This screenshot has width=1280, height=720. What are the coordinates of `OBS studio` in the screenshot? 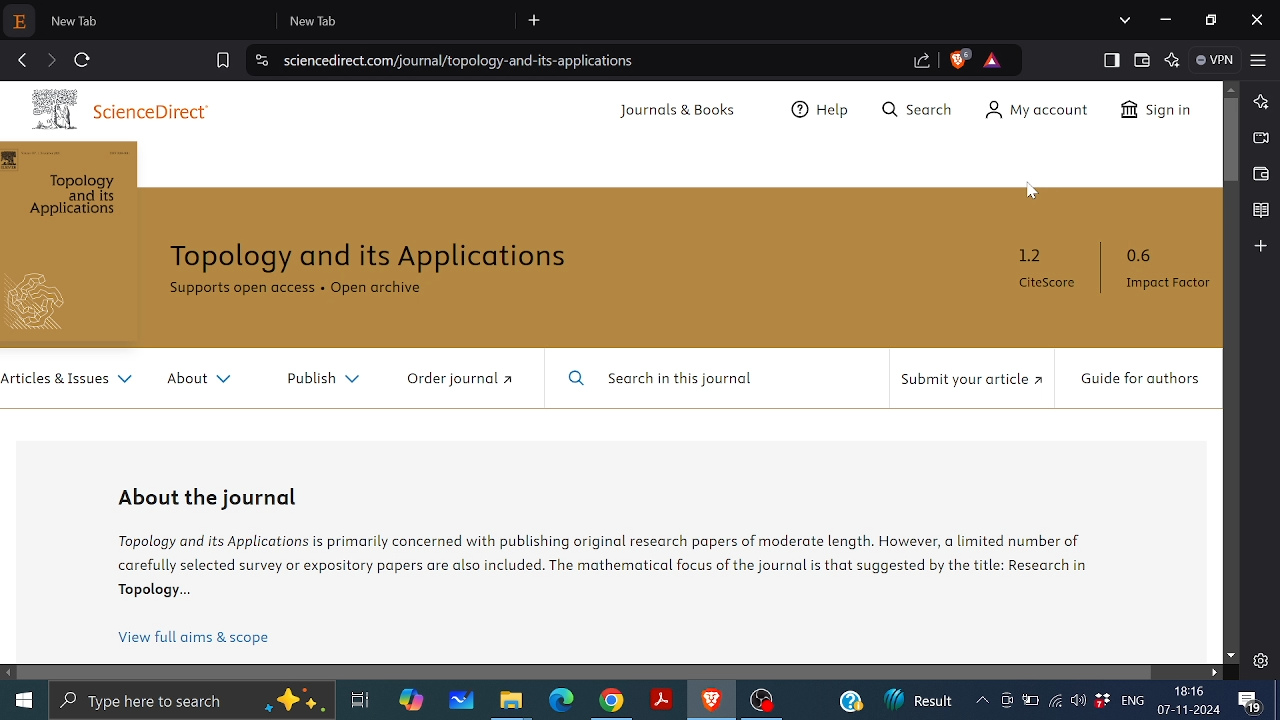 It's located at (766, 702).